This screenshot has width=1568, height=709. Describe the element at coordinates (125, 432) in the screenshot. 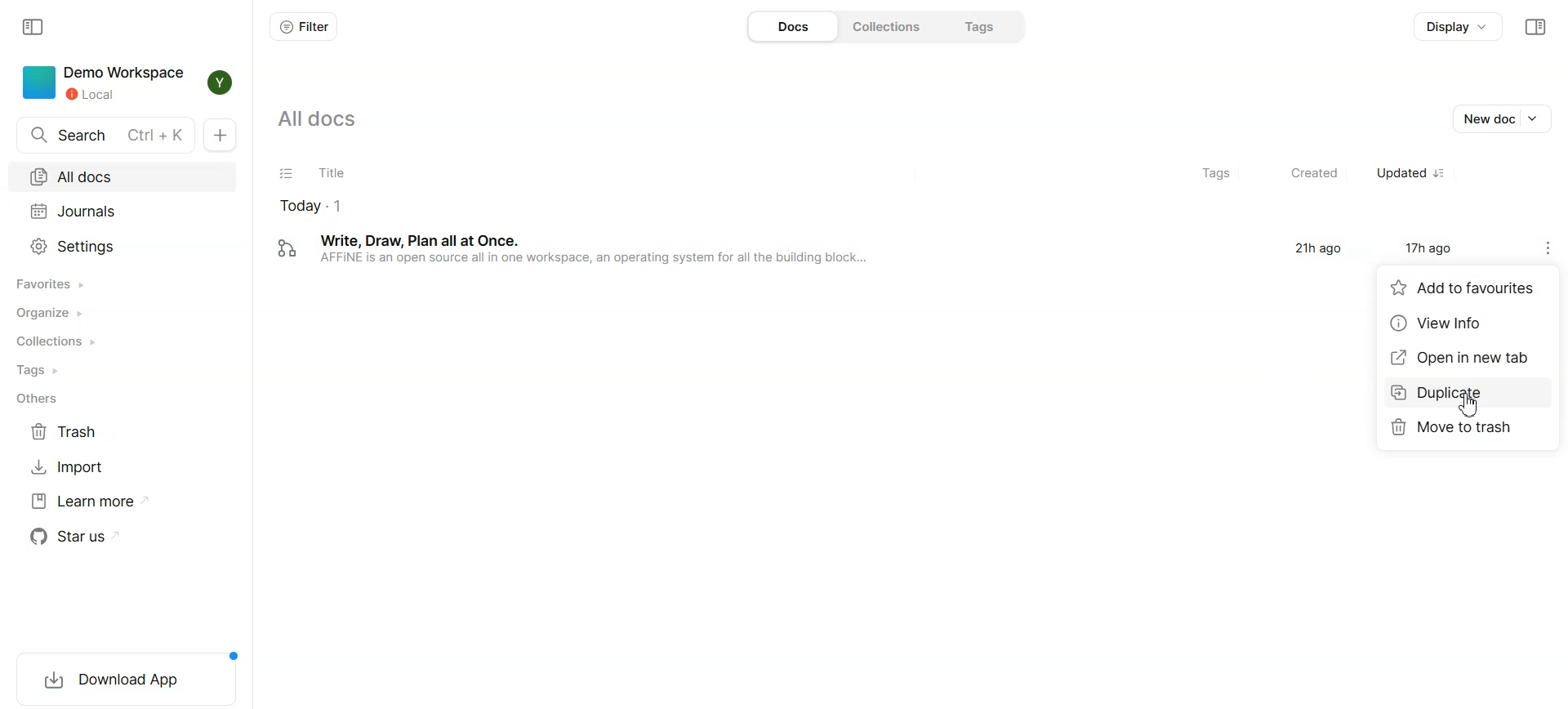

I see `Trash` at that location.